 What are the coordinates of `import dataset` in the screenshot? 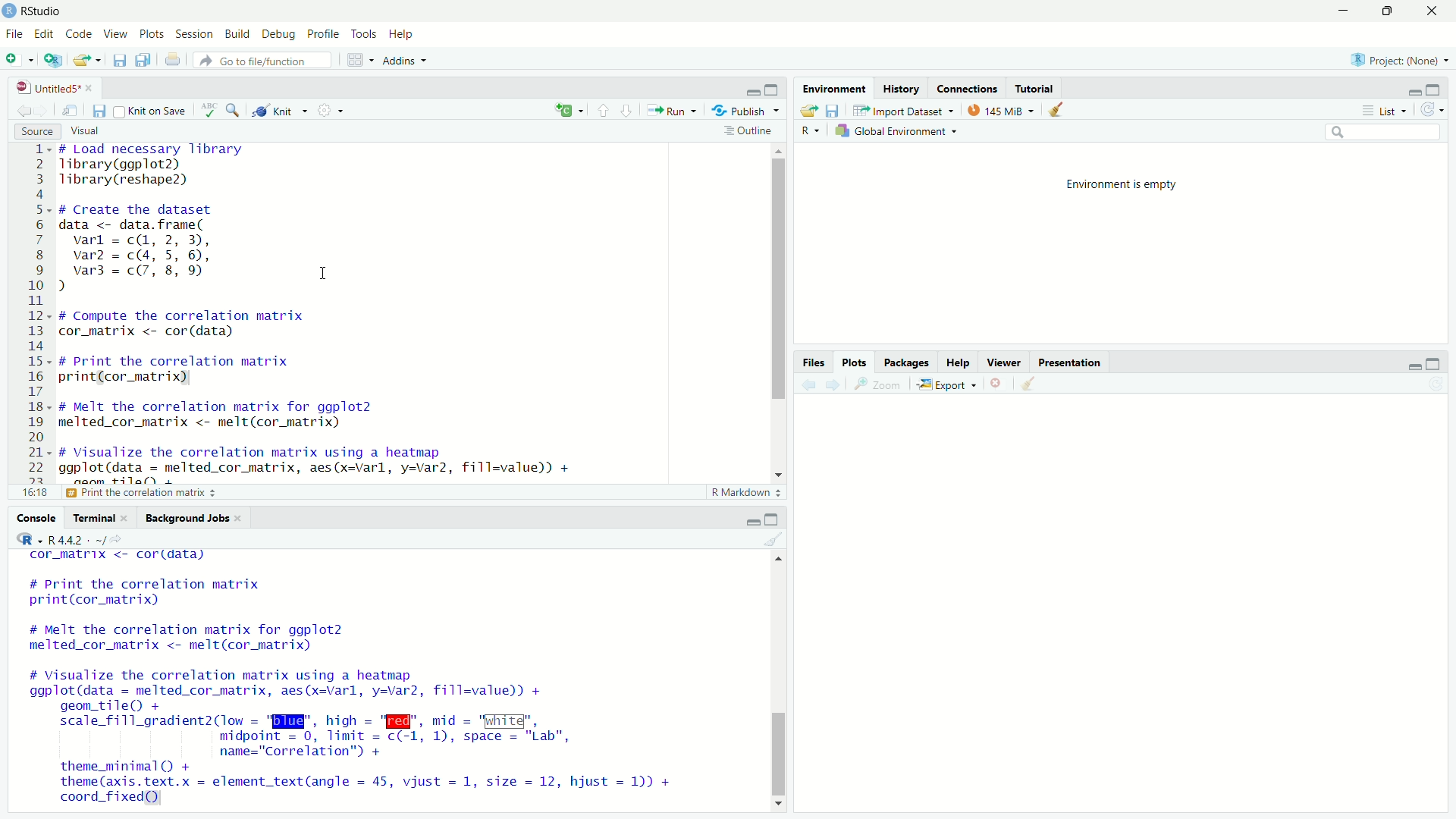 It's located at (904, 111).